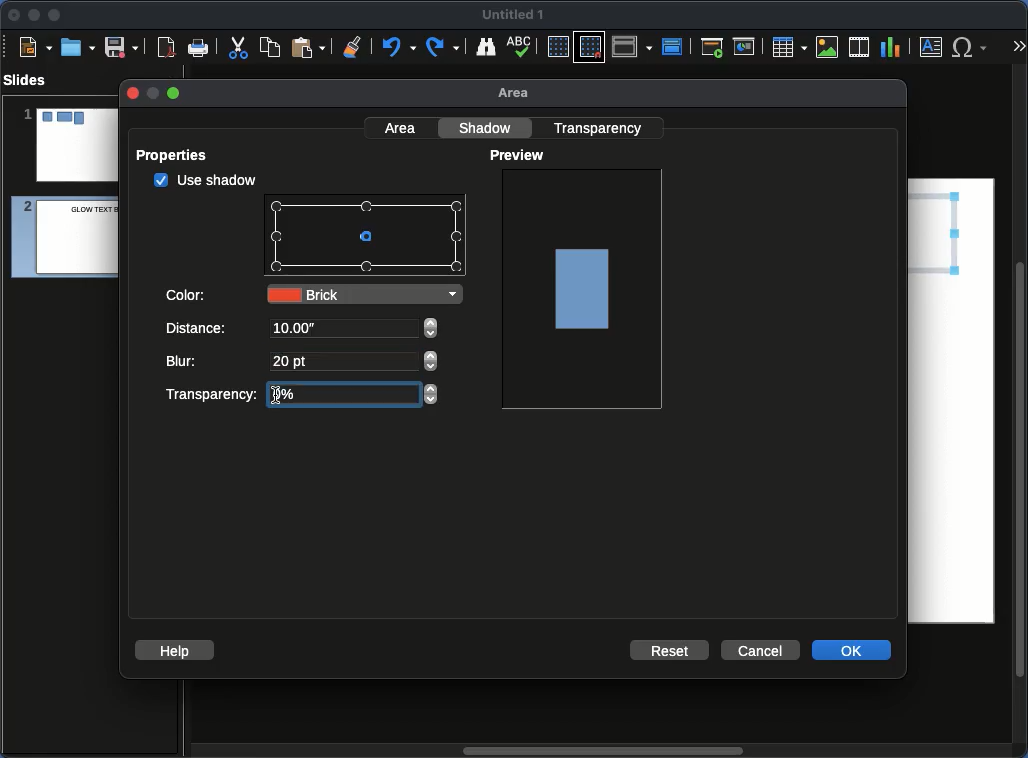 This screenshot has height=758, width=1028. What do you see at coordinates (151, 93) in the screenshot?
I see `minimize` at bounding box center [151, 93].